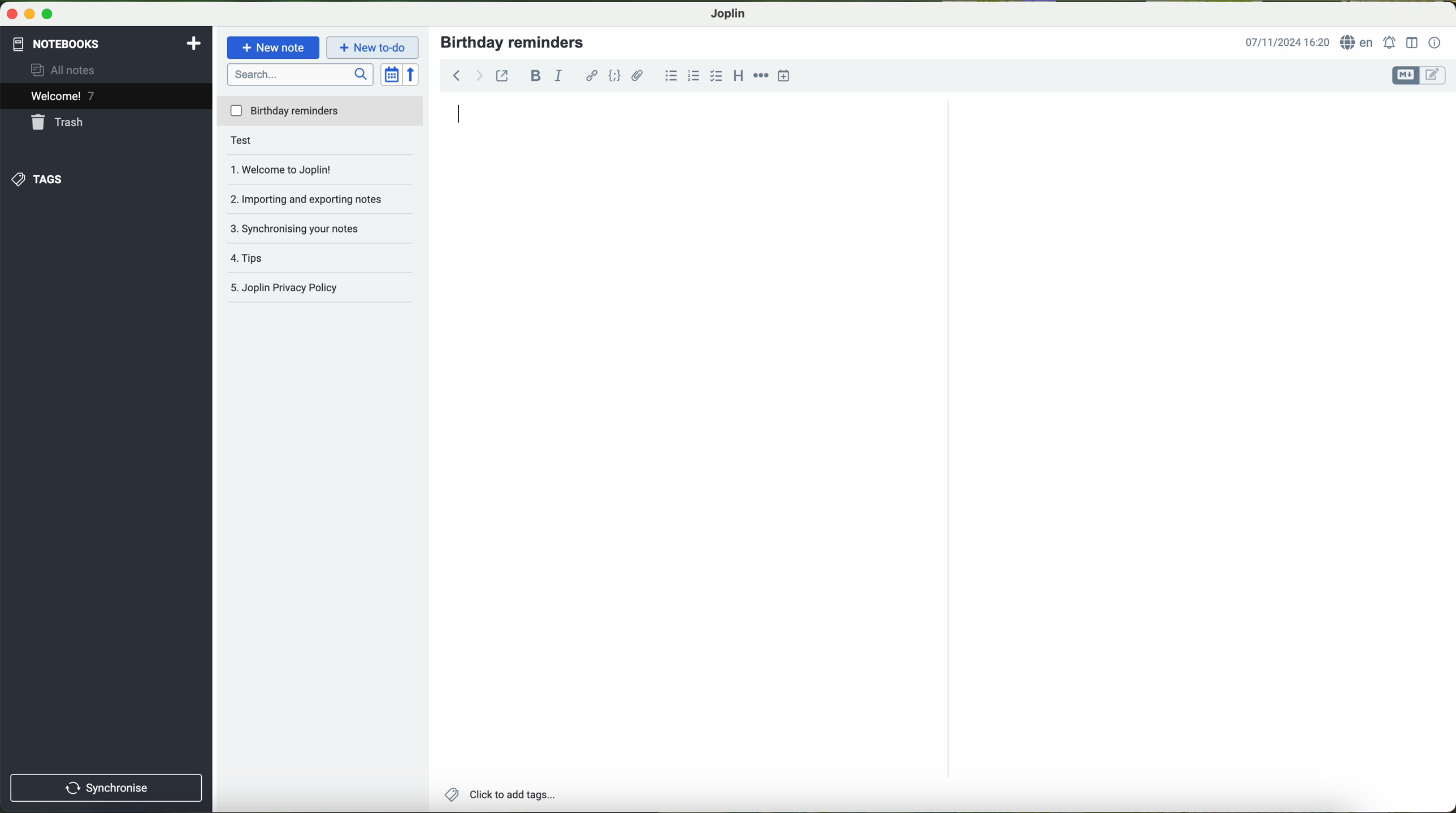 The width and height of the screenshot is (1456, 813). I want to click on language, so click(1359, 44).